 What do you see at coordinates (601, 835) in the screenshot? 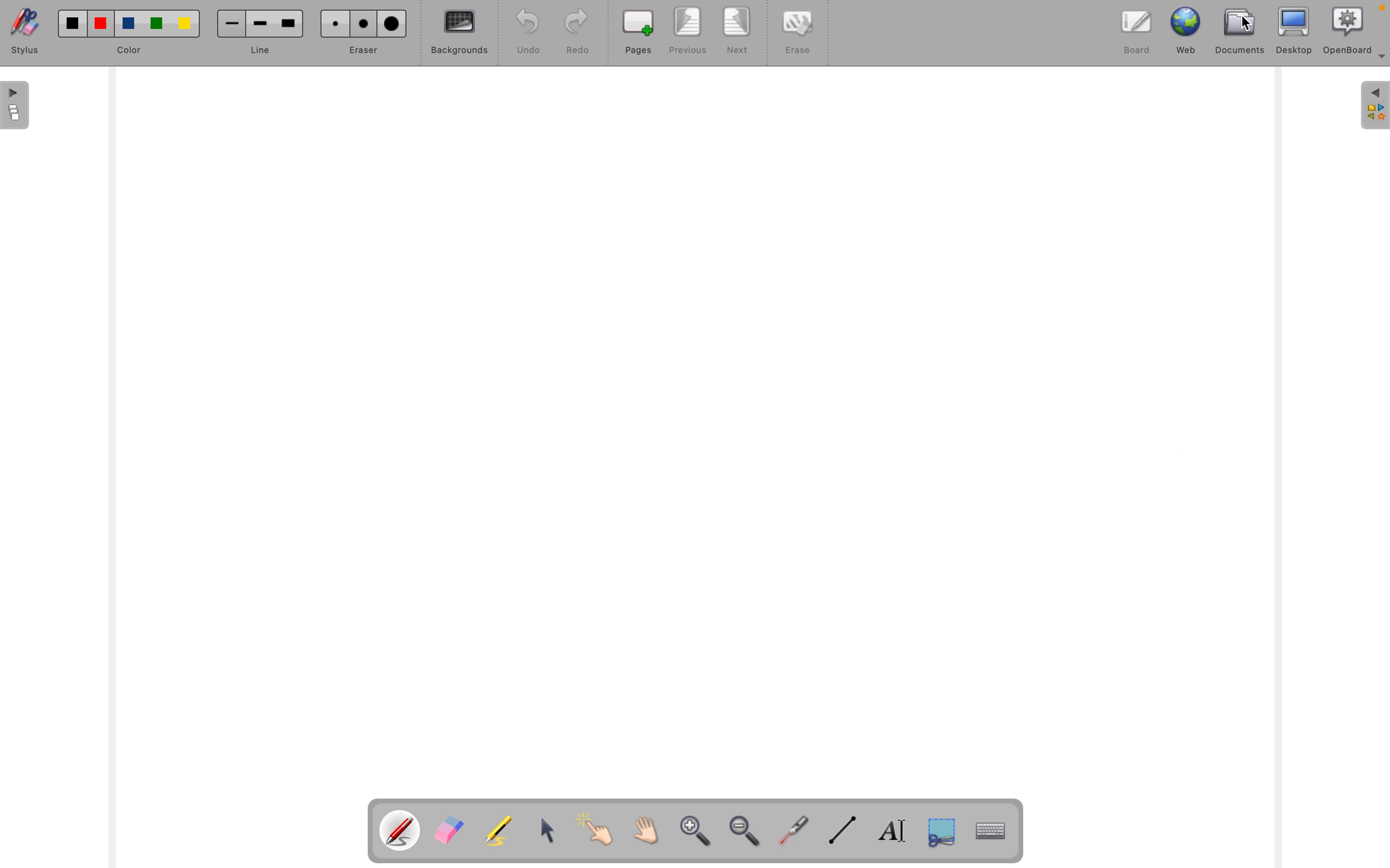
I see `interact with items` at bounding box center [601, 835].